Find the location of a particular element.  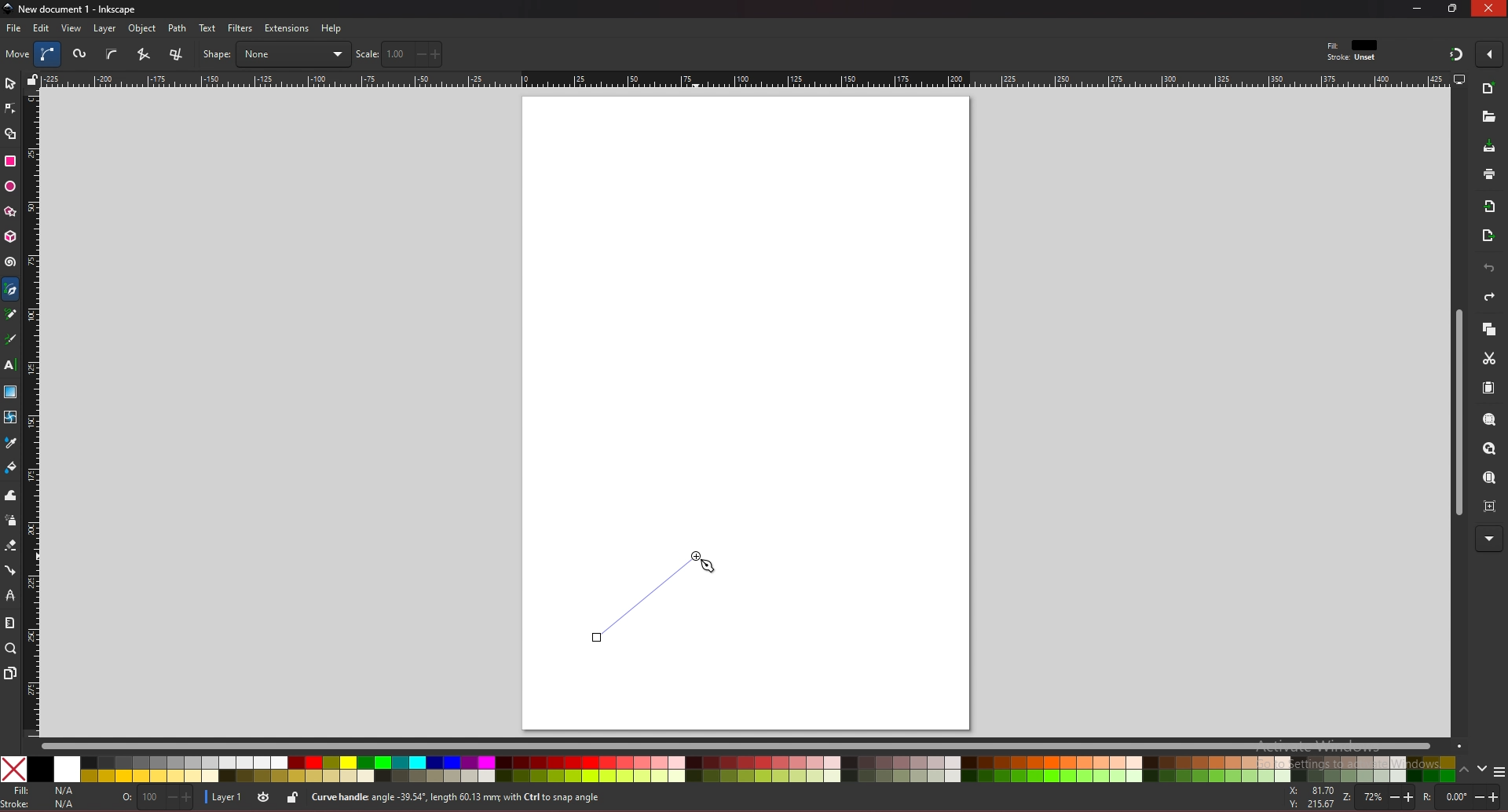

ellipse is located at coordinates (10, 187).